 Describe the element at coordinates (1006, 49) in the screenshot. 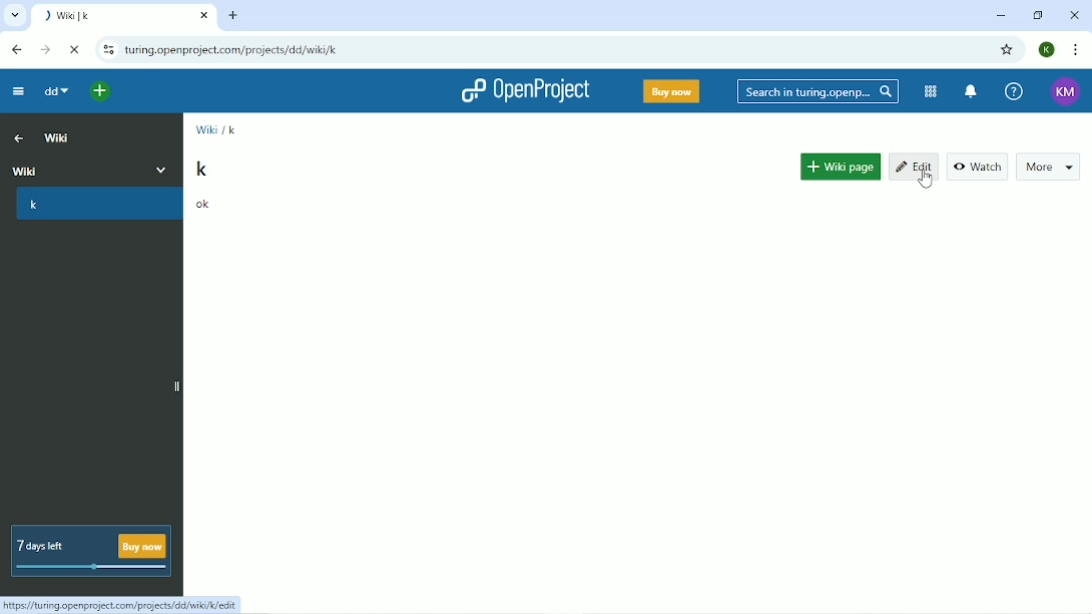

I see `Bookmark this tab` at that location.